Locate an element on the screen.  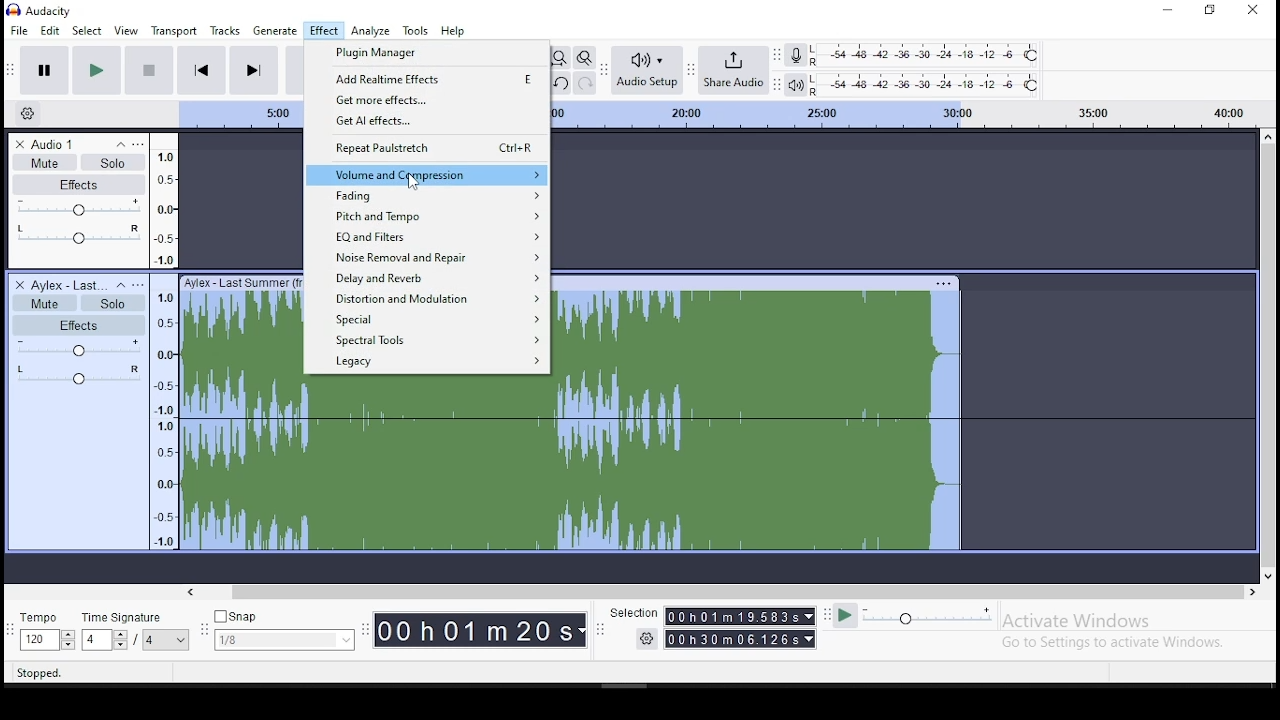
transport is located at coordinates (178, 29).